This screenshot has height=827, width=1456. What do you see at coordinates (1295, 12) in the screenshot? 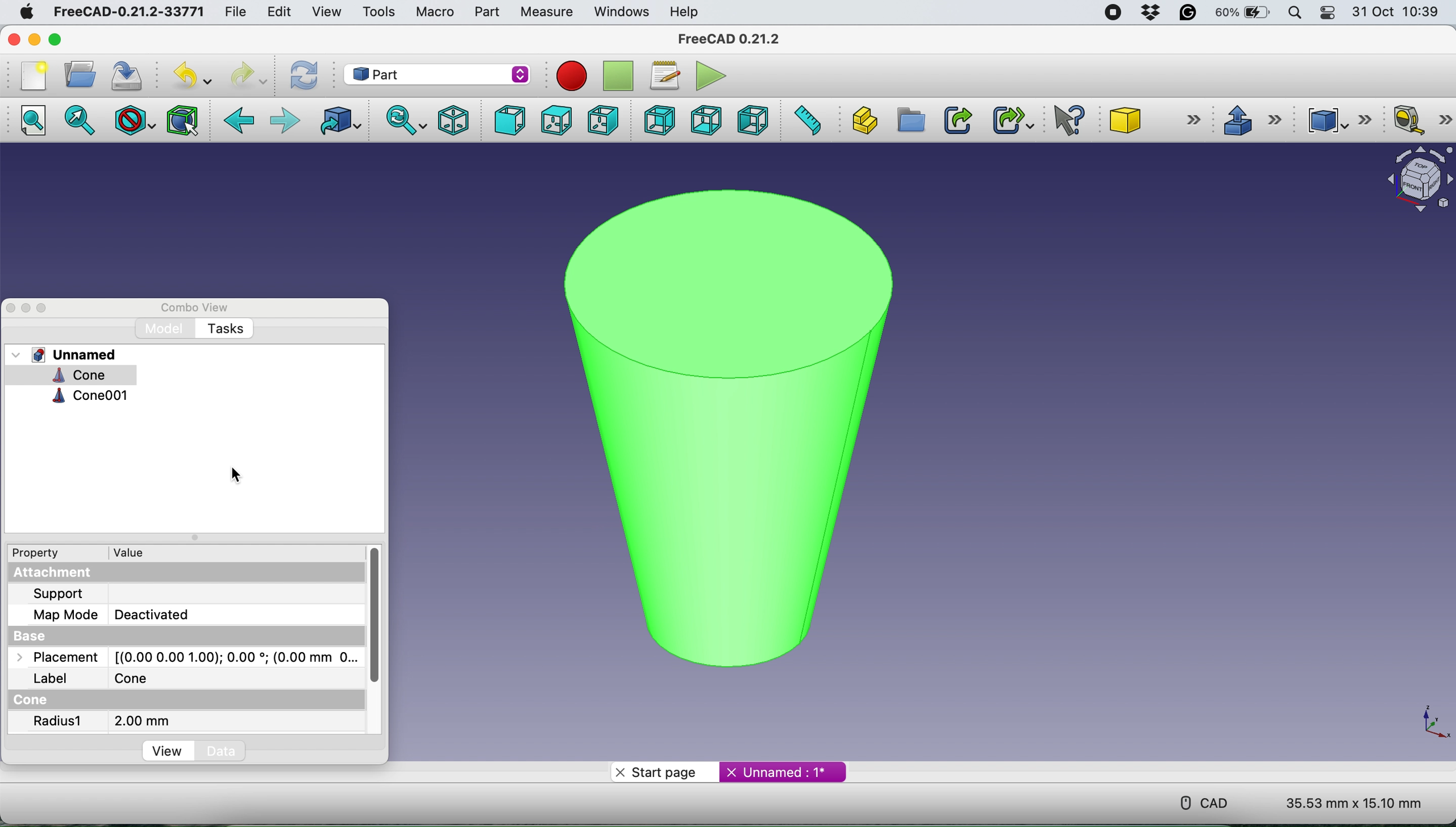
I see `spotlight search` at bounding box center [1295, 12].